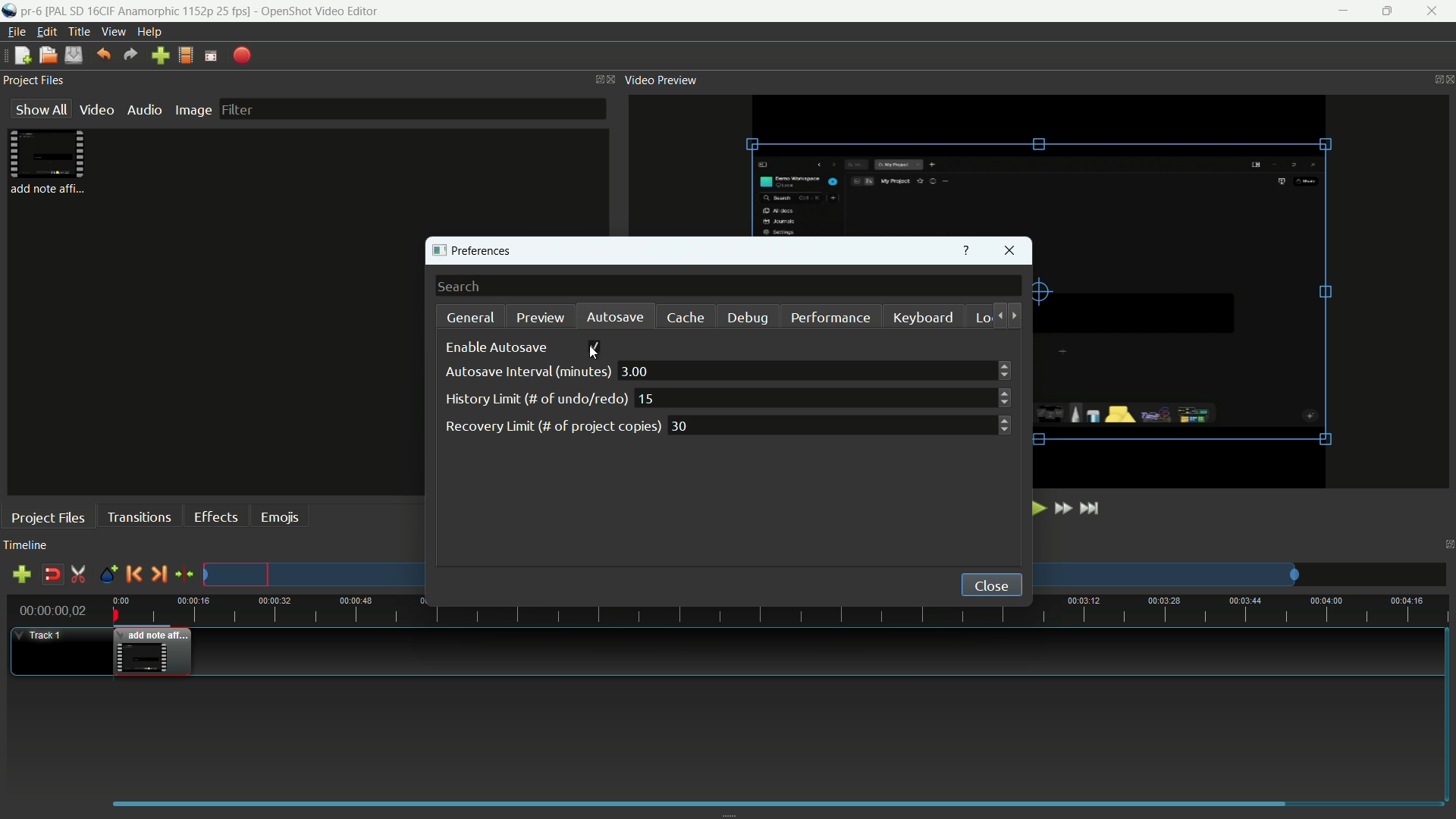 Image resolution: width=1456 pixels, height=819 pixels. I want to click on enable razor, so click(77, 574).